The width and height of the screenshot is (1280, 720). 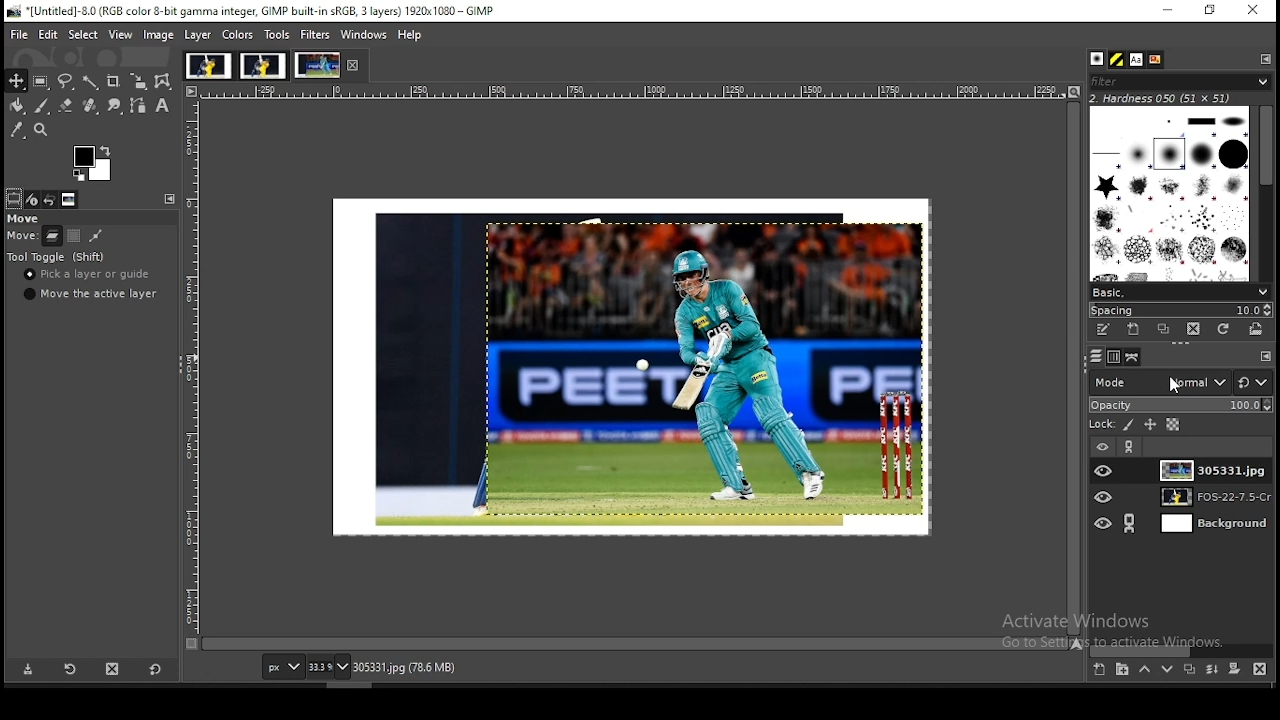 I want to click on 2. hardness, so click(x=1175, y=98).